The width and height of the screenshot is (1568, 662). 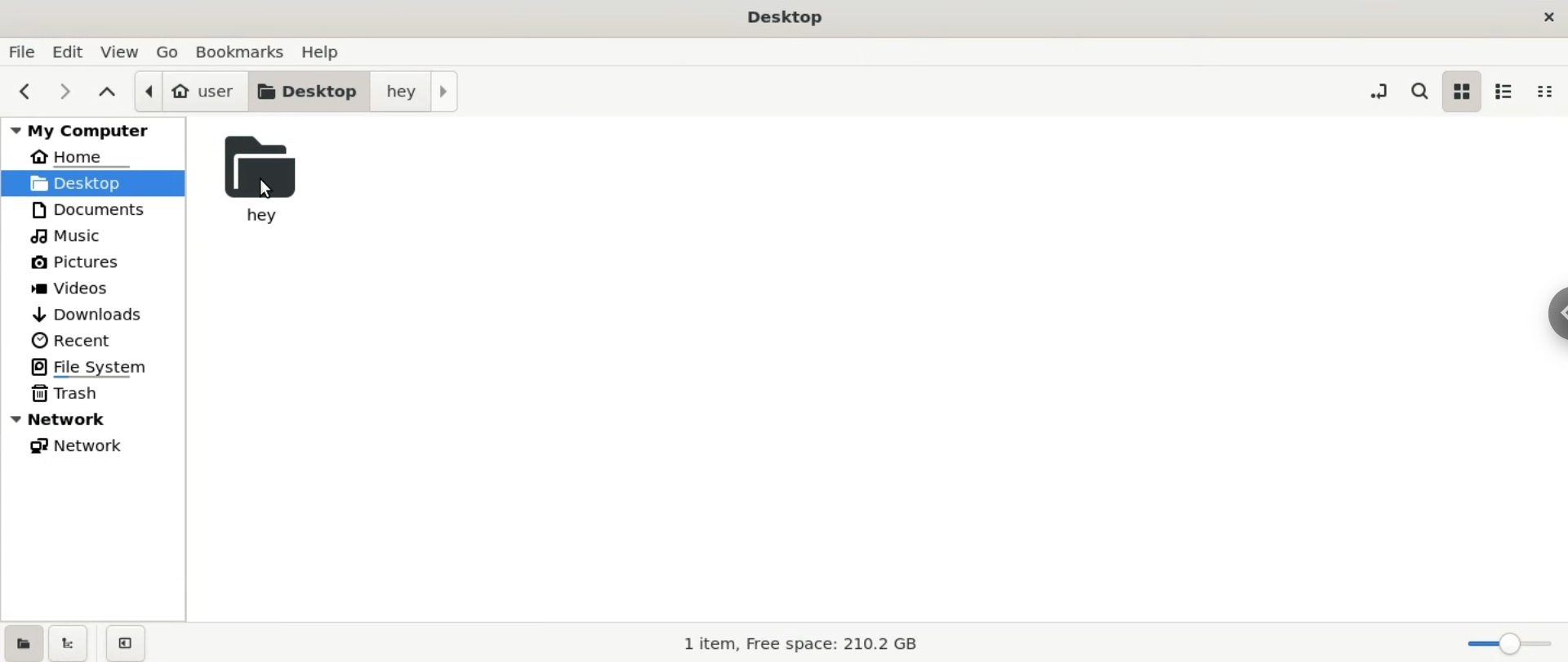 I want to click on go, so click(x=172, y=52).